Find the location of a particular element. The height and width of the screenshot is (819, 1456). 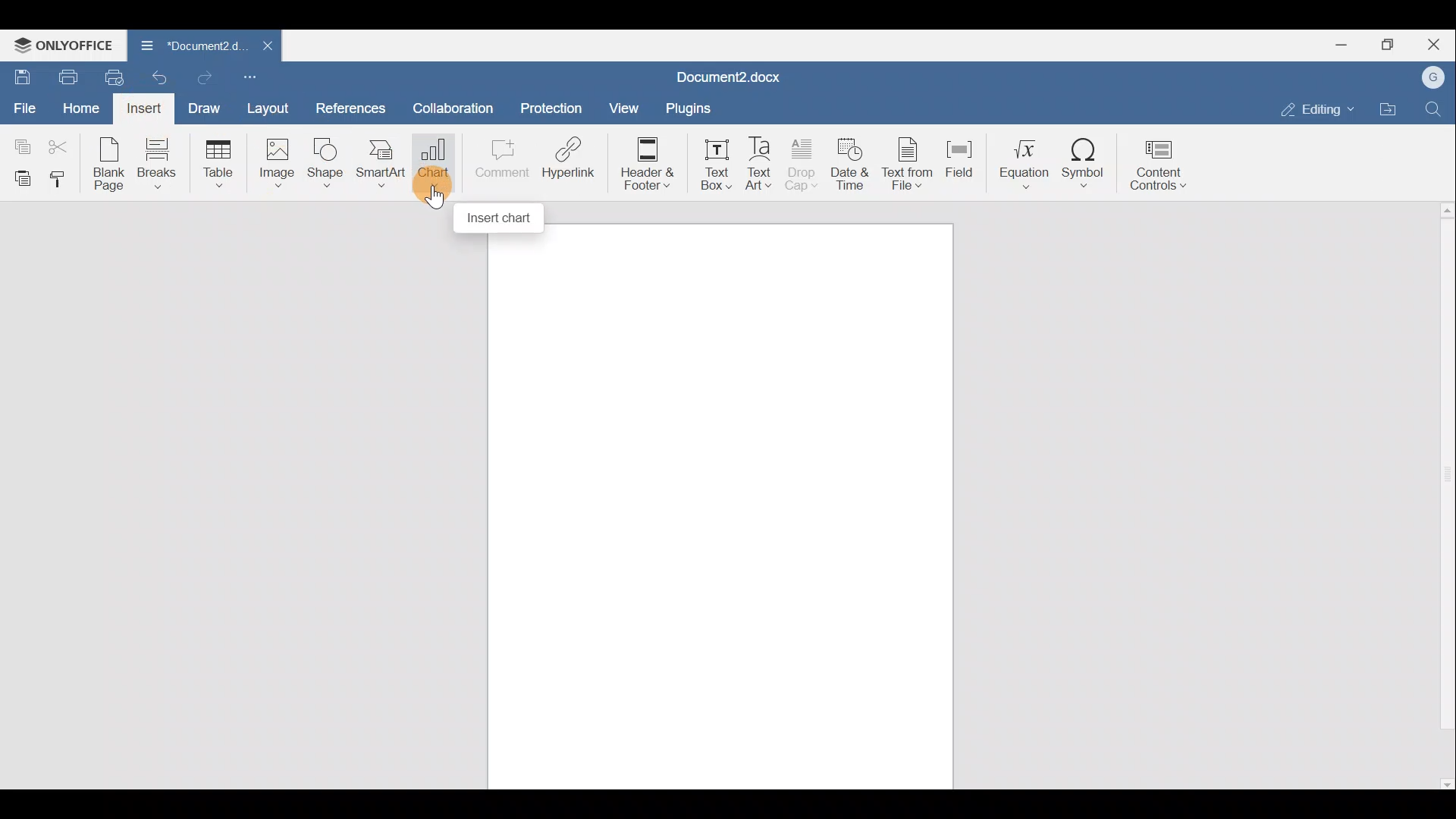

Home is located at coordinates (80, 108).